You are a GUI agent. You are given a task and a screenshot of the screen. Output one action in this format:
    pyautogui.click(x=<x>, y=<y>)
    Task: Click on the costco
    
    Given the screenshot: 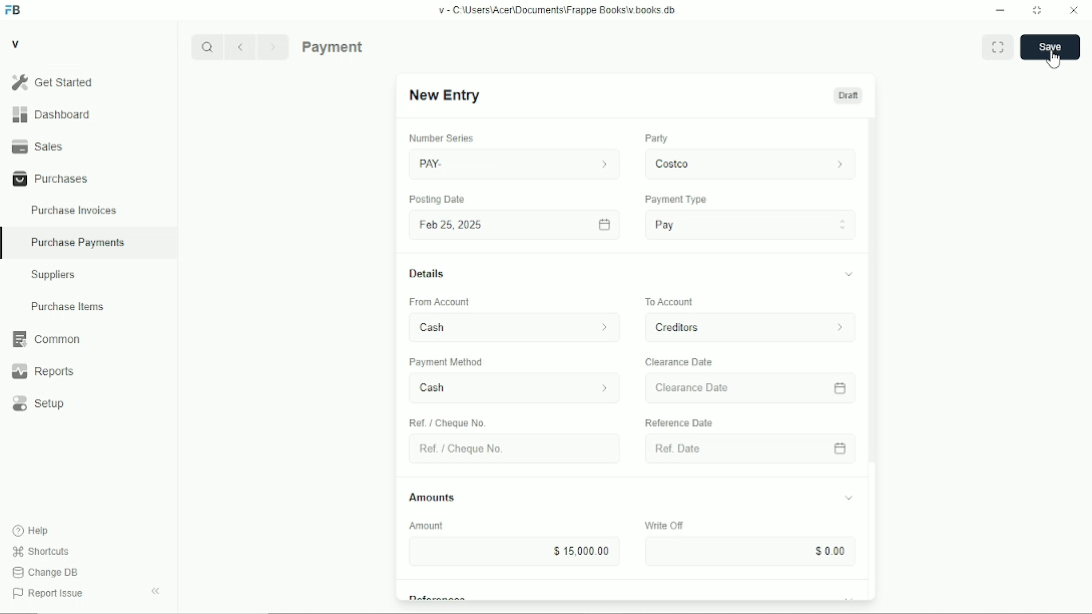 What is the action you would take?
    pyautogui.click(x=751, y=162)
    